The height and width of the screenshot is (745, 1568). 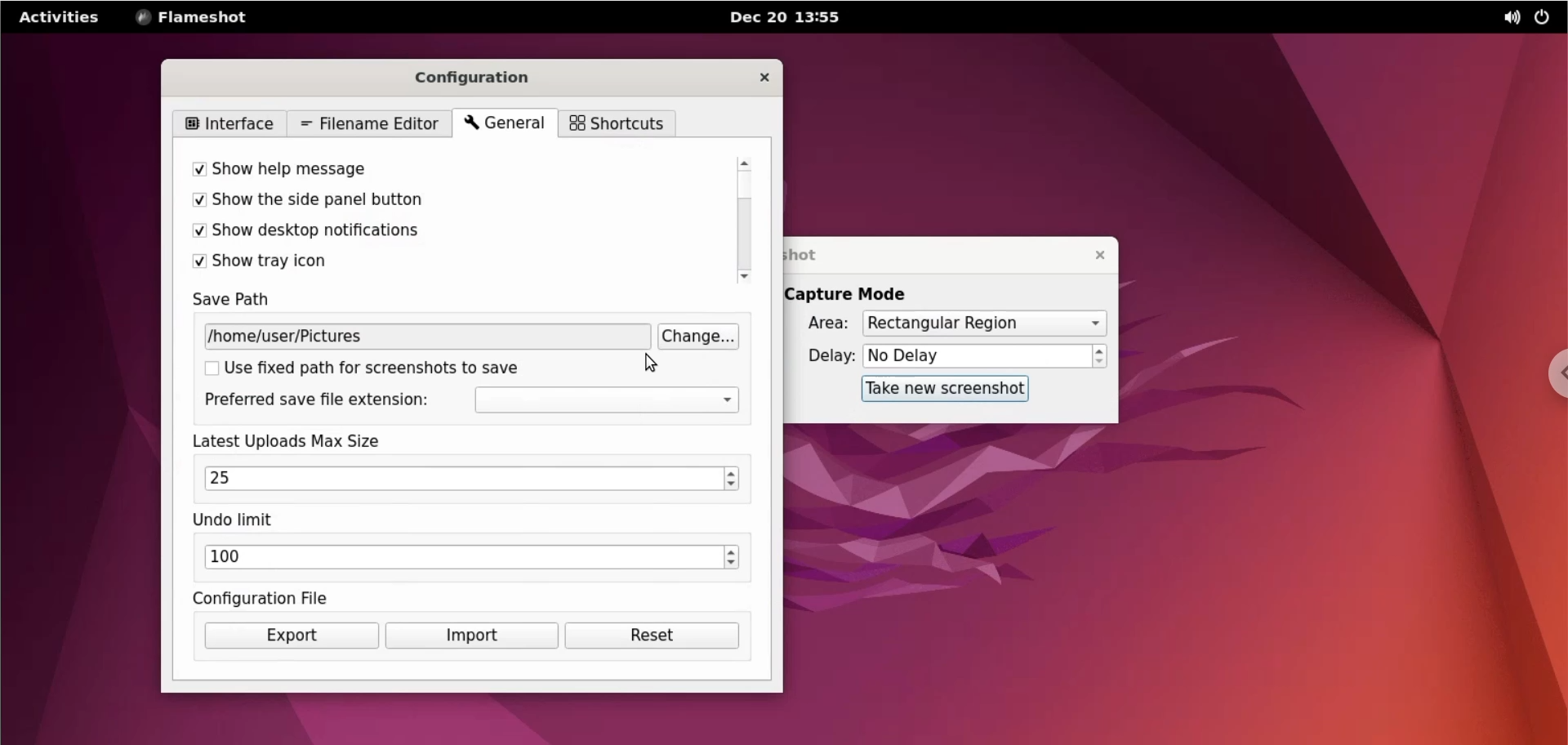 I want to click on sound options, so click(x=1505, y=18).